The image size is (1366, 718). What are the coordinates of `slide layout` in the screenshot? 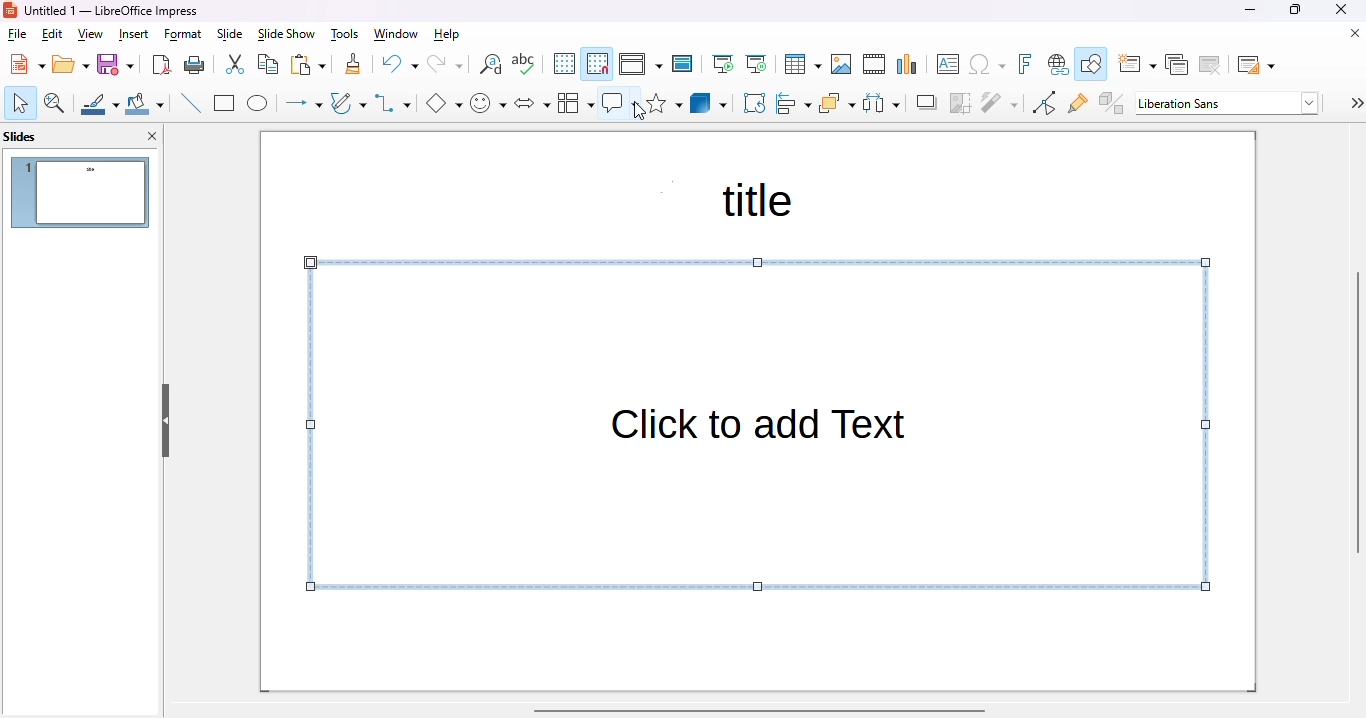 It's located at (1256, 65).